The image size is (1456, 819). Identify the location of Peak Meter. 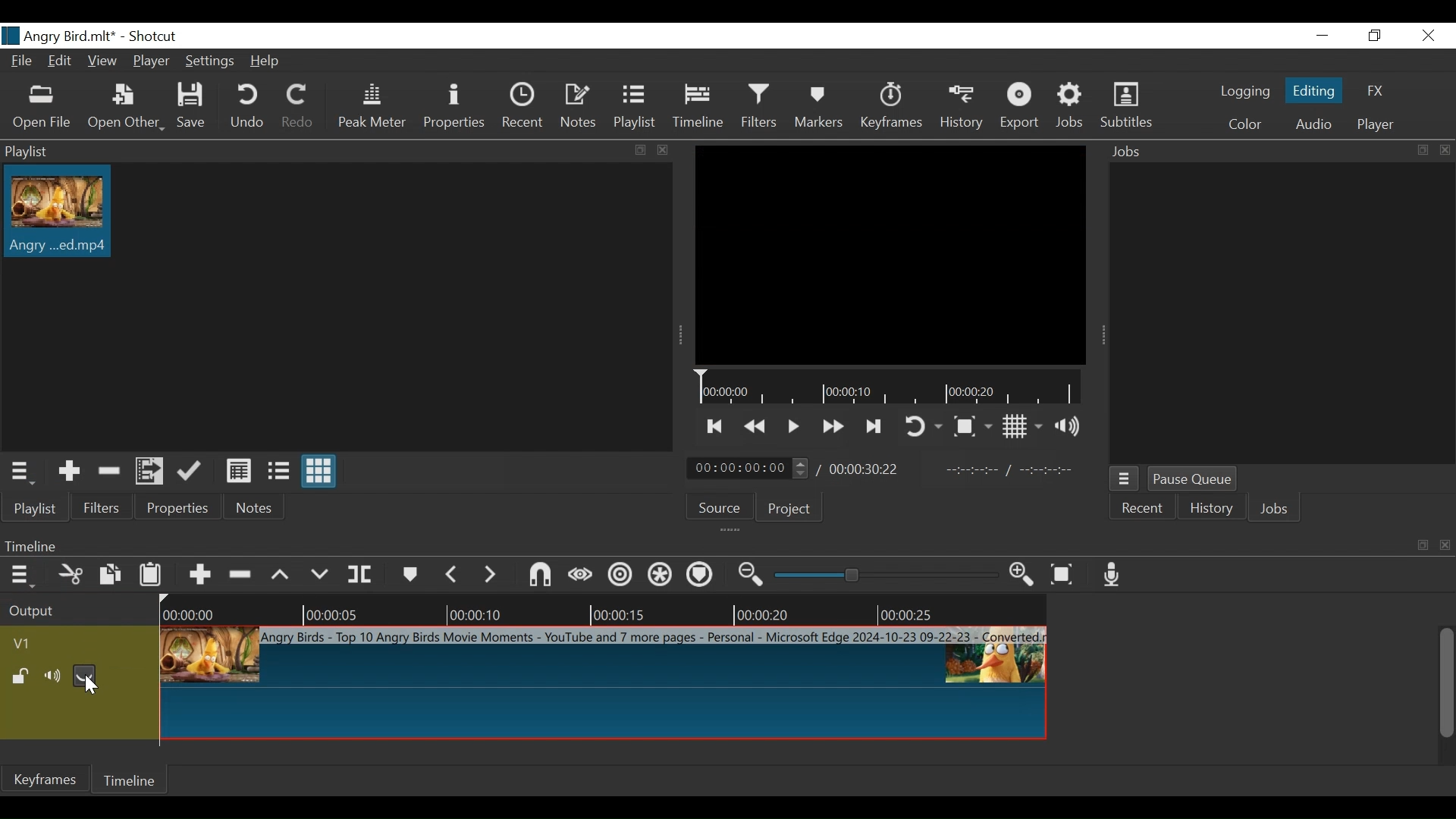
(370, 106).